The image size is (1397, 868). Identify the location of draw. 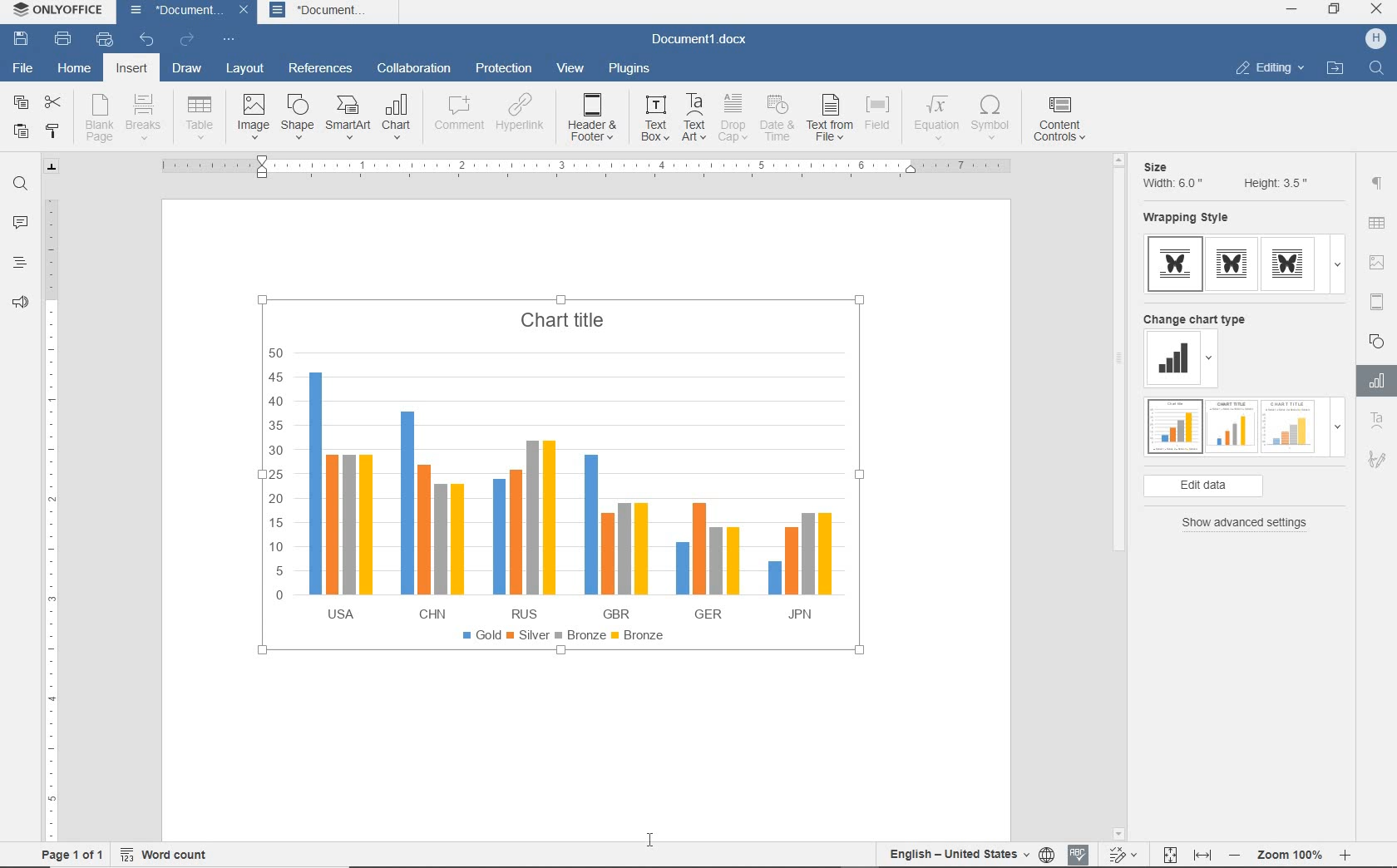
(188, 71).